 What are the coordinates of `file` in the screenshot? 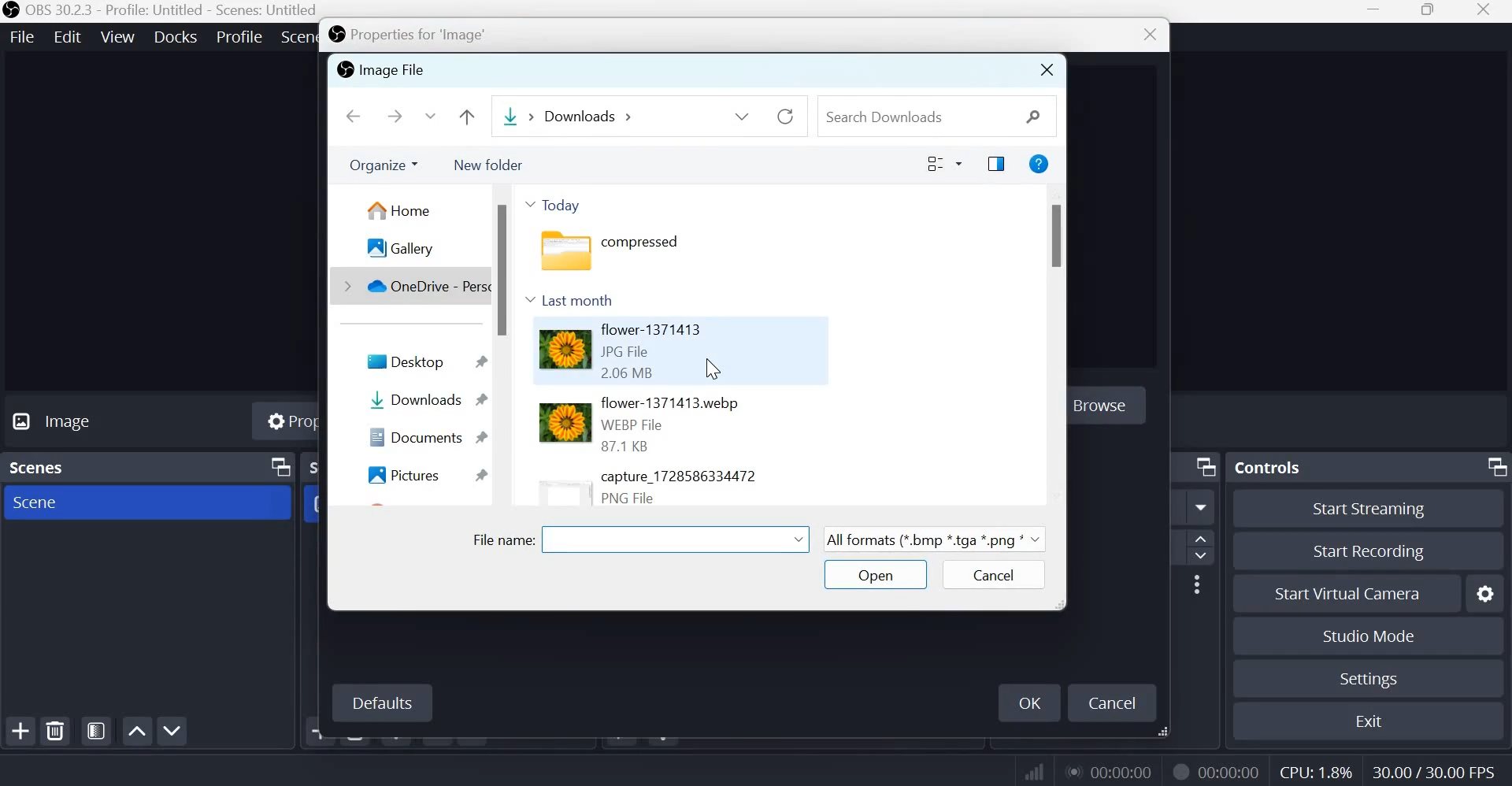 It's located at (23, 36).